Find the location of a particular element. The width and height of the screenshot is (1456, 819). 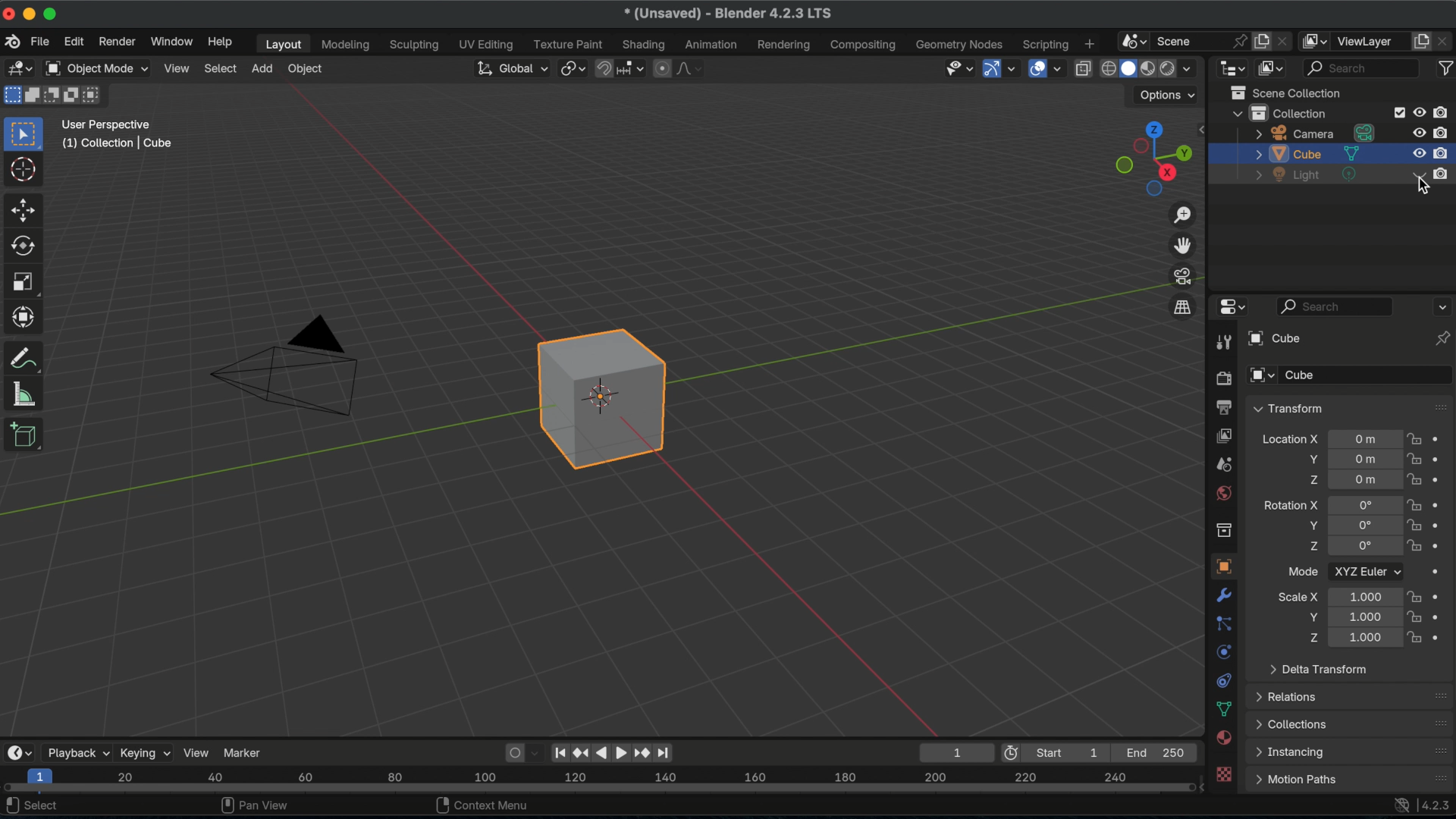

location x  is located at coordinates (1289, 438).